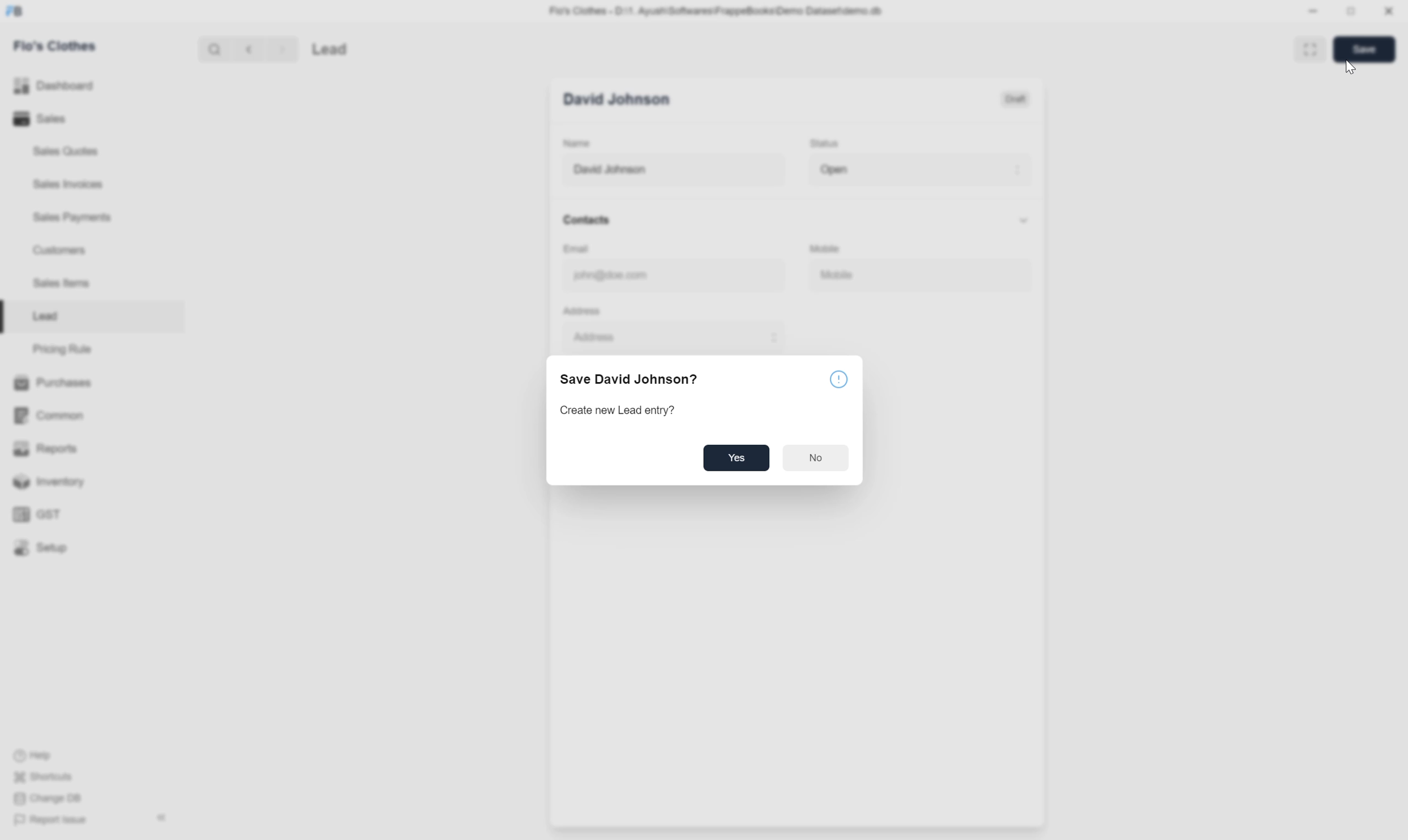  I want to click on Inventory, so click(45, 482).